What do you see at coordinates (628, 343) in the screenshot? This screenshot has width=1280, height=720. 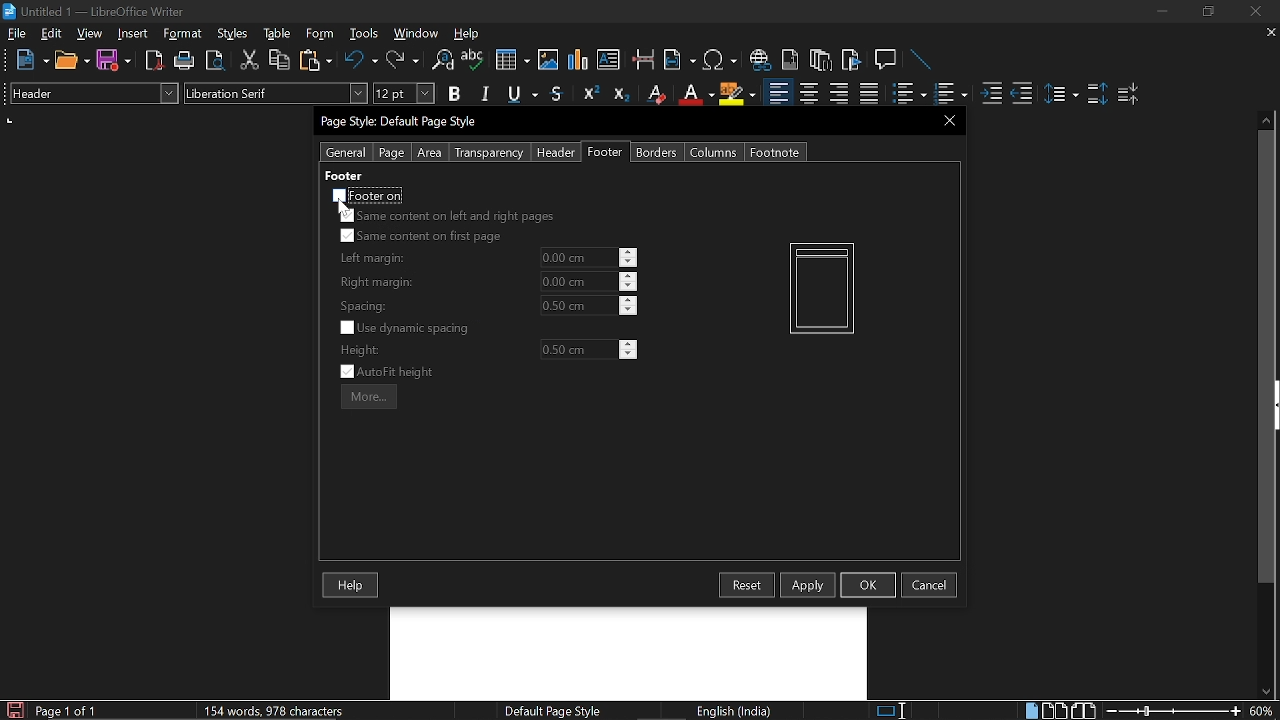 I see `Increase height hey Cortana` at bounding box center [628, 343].